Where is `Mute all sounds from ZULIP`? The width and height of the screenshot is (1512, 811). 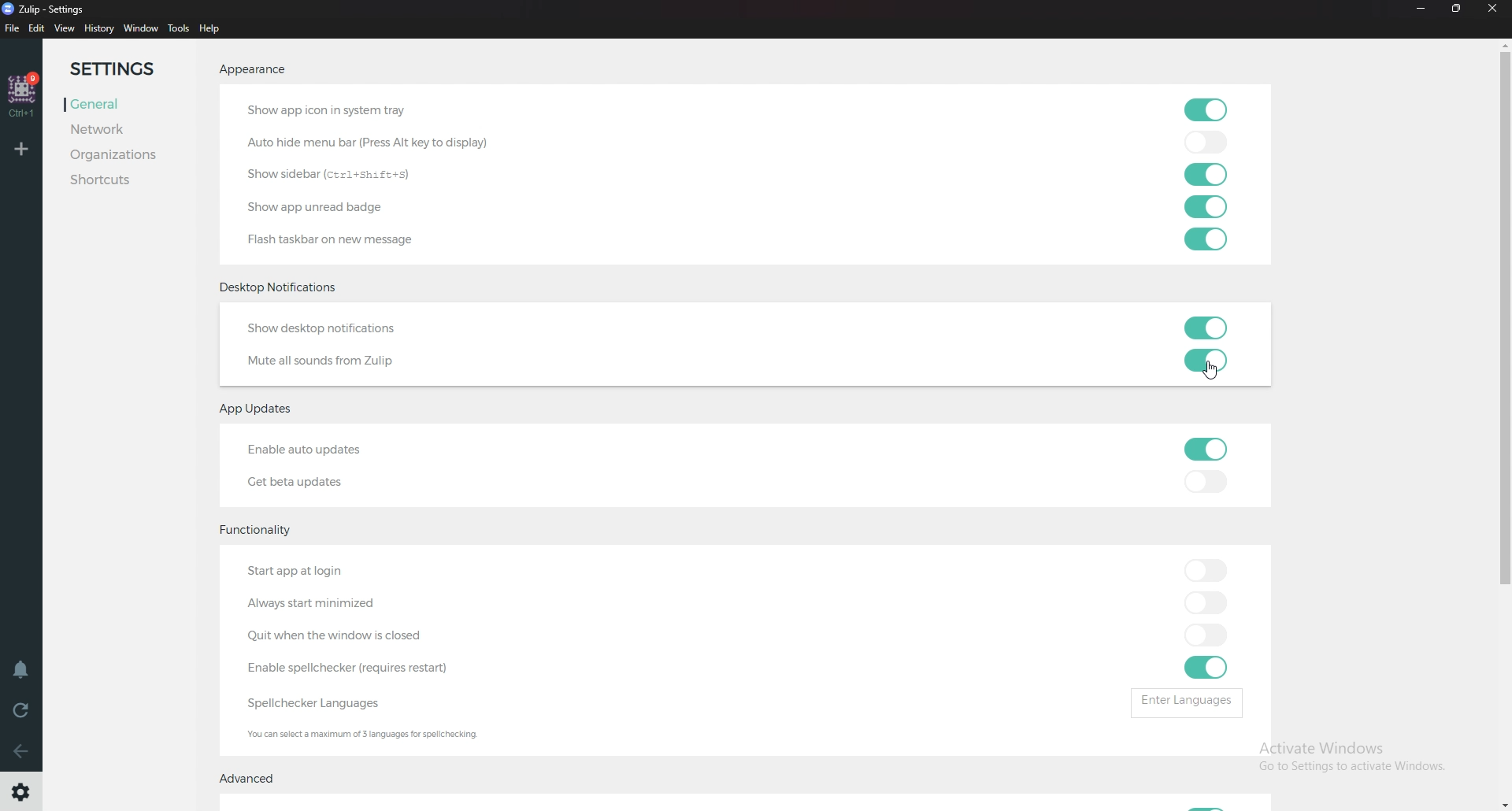
Mute all sounds from ZULIP is located at coordinates (329, 363).